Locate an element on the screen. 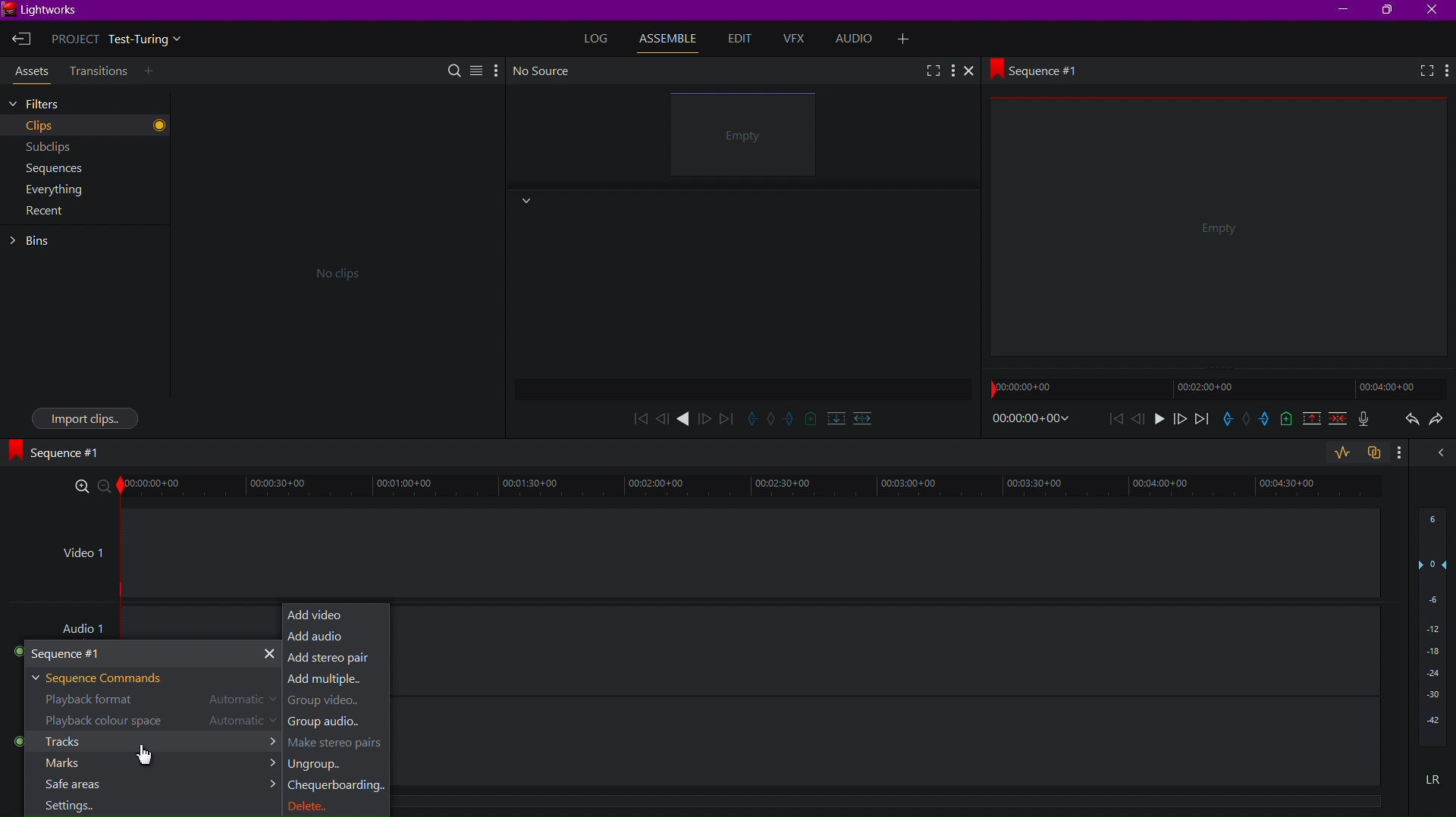 This screenshot has height=817, width=1456. Tracks is located at coordinates (149, 743).